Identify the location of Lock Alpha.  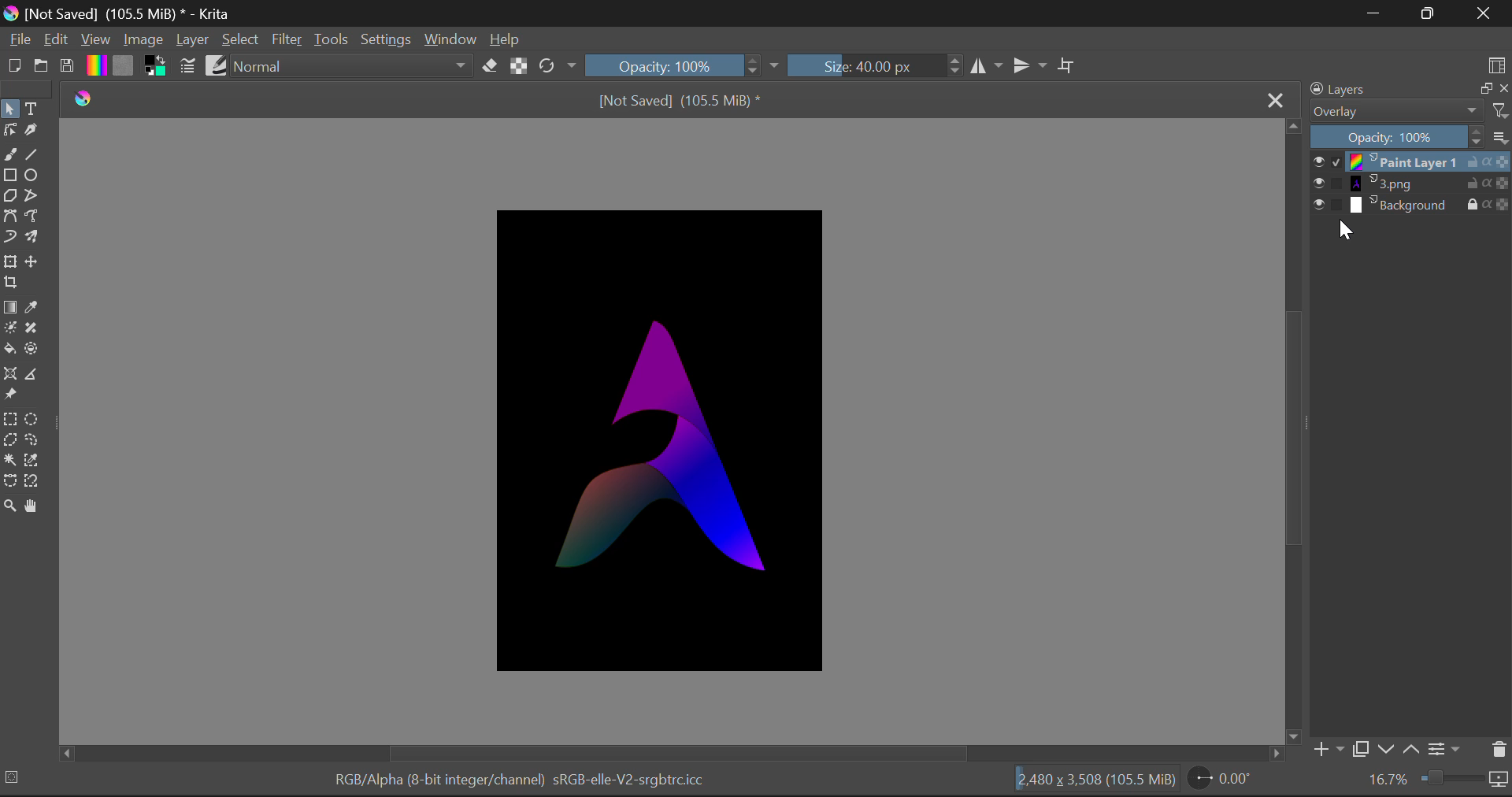
(519, 69).